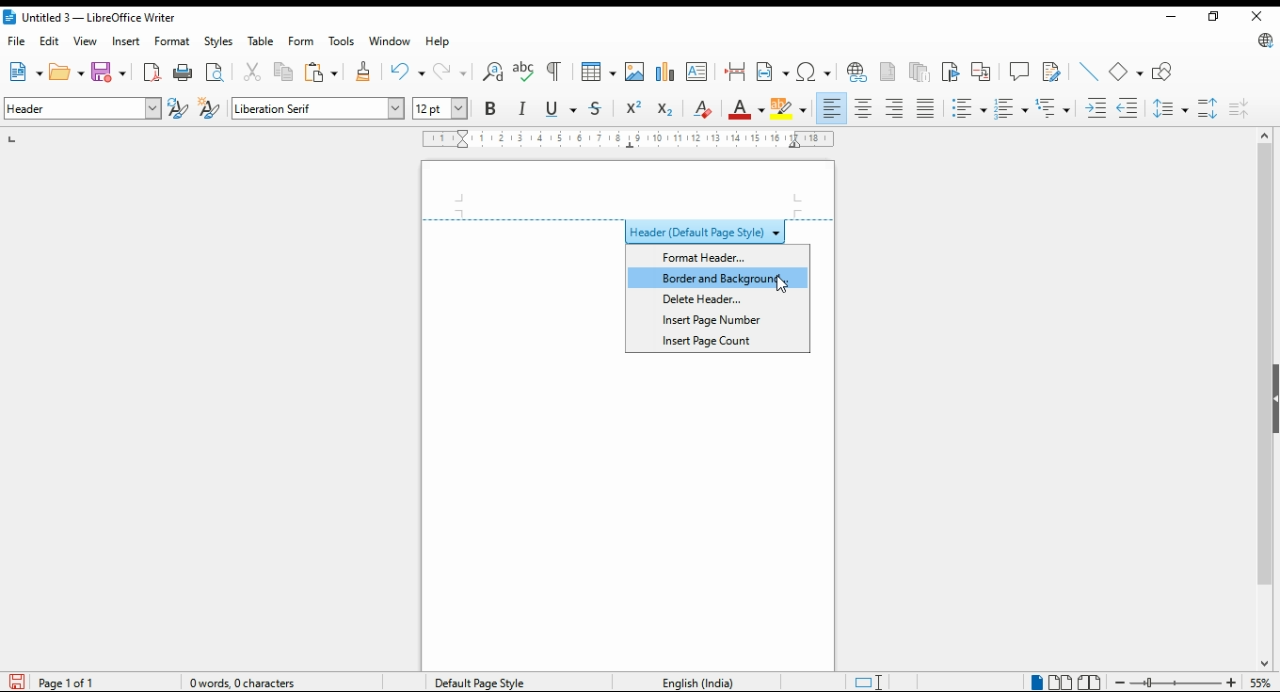  What do you see at coordinates (1169, 15) in the screenshot?
I see `minimize` at bounding box center [1169, 15].